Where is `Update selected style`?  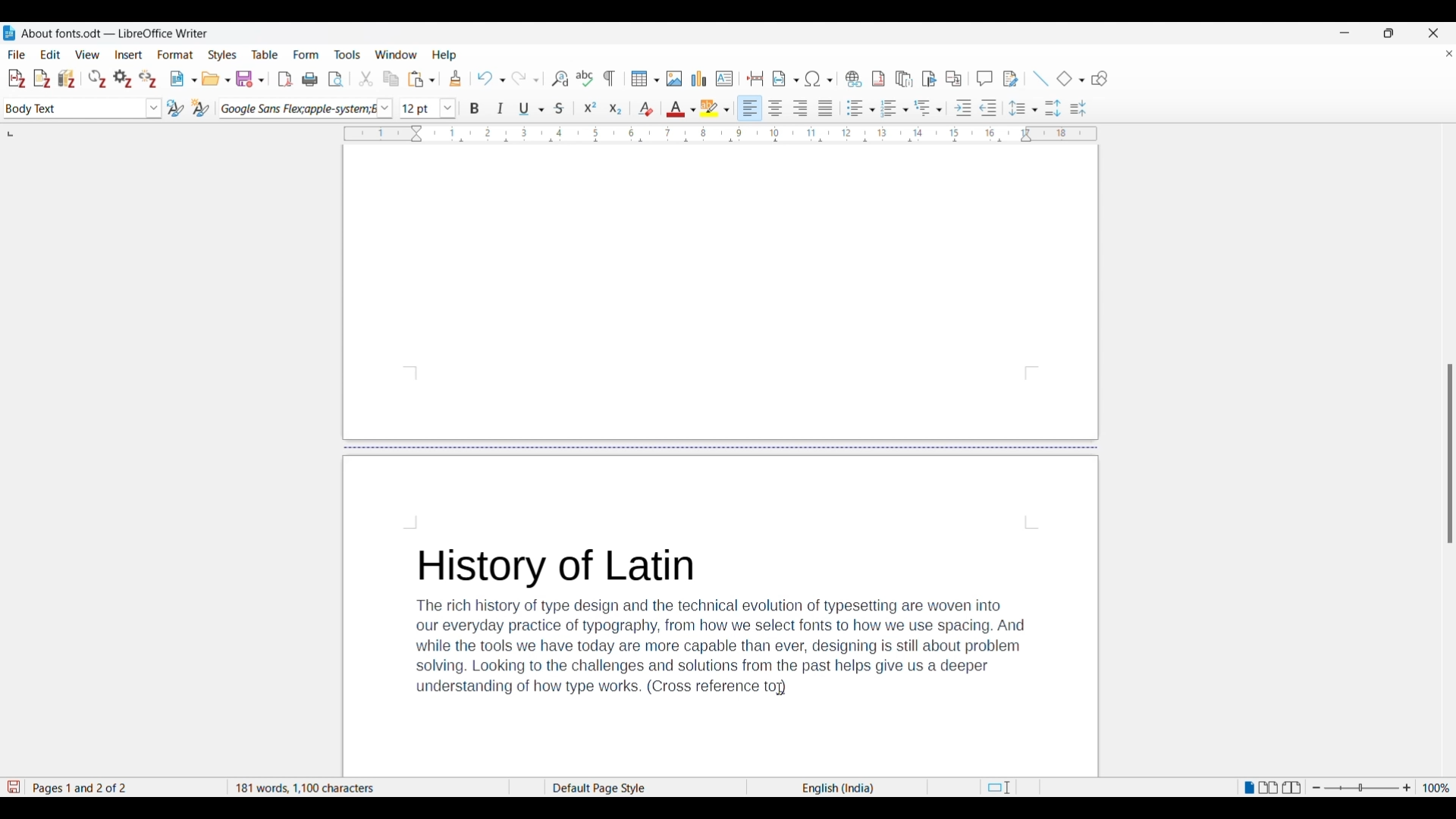 Update selected style is located at coordinates (175, 108).